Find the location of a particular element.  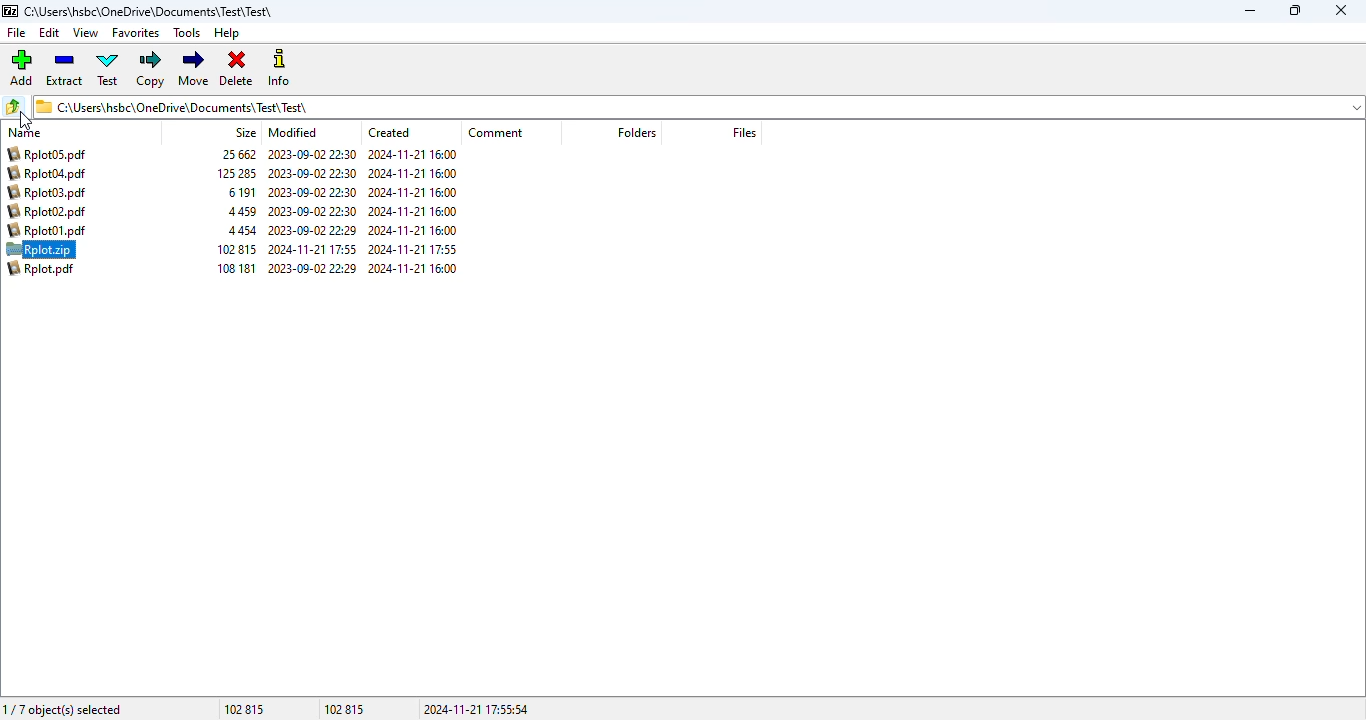

2024-11-21 16:00 is located at coordinates (412, 154).